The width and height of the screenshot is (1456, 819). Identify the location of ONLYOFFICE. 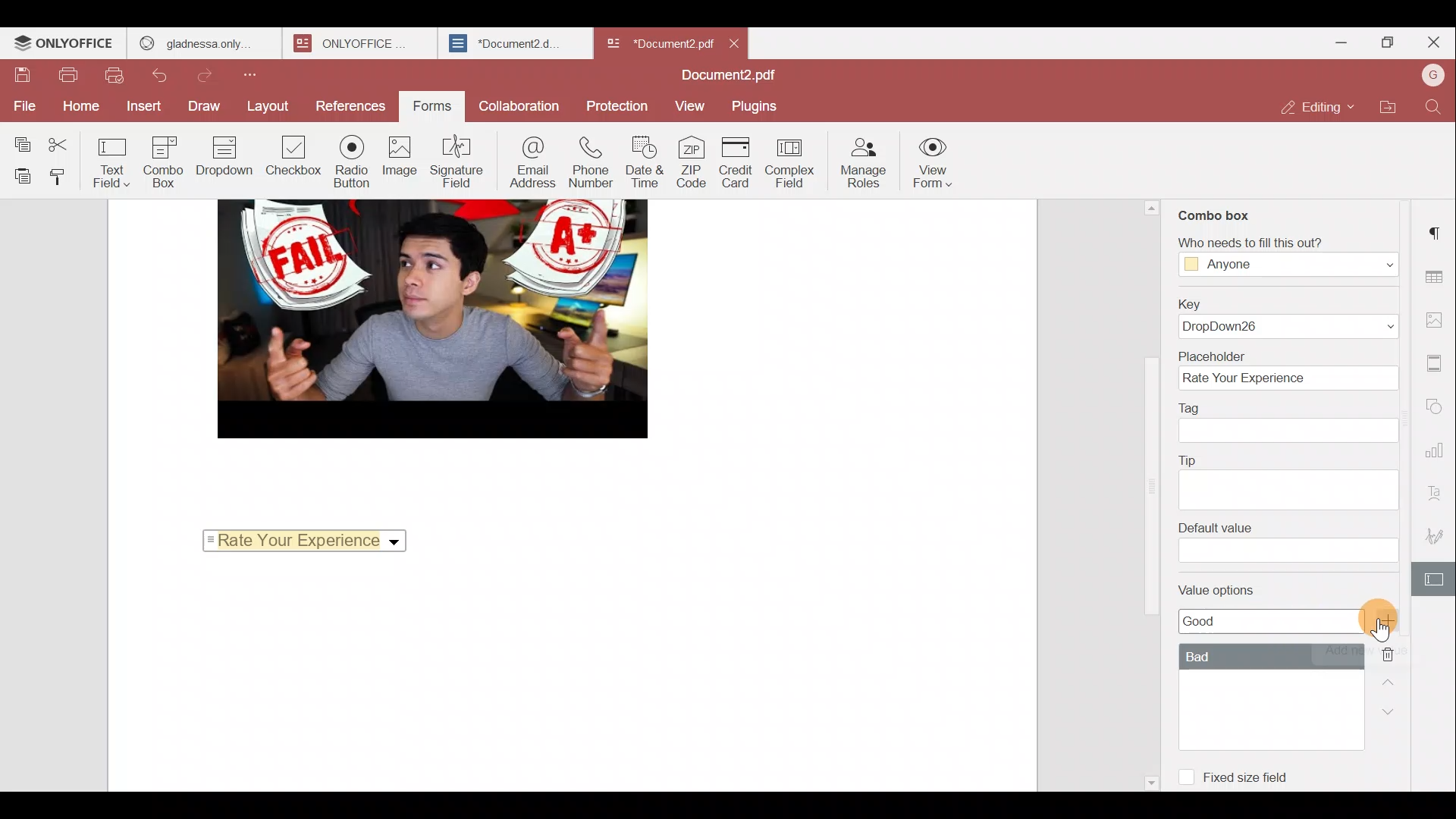
(64, 45).